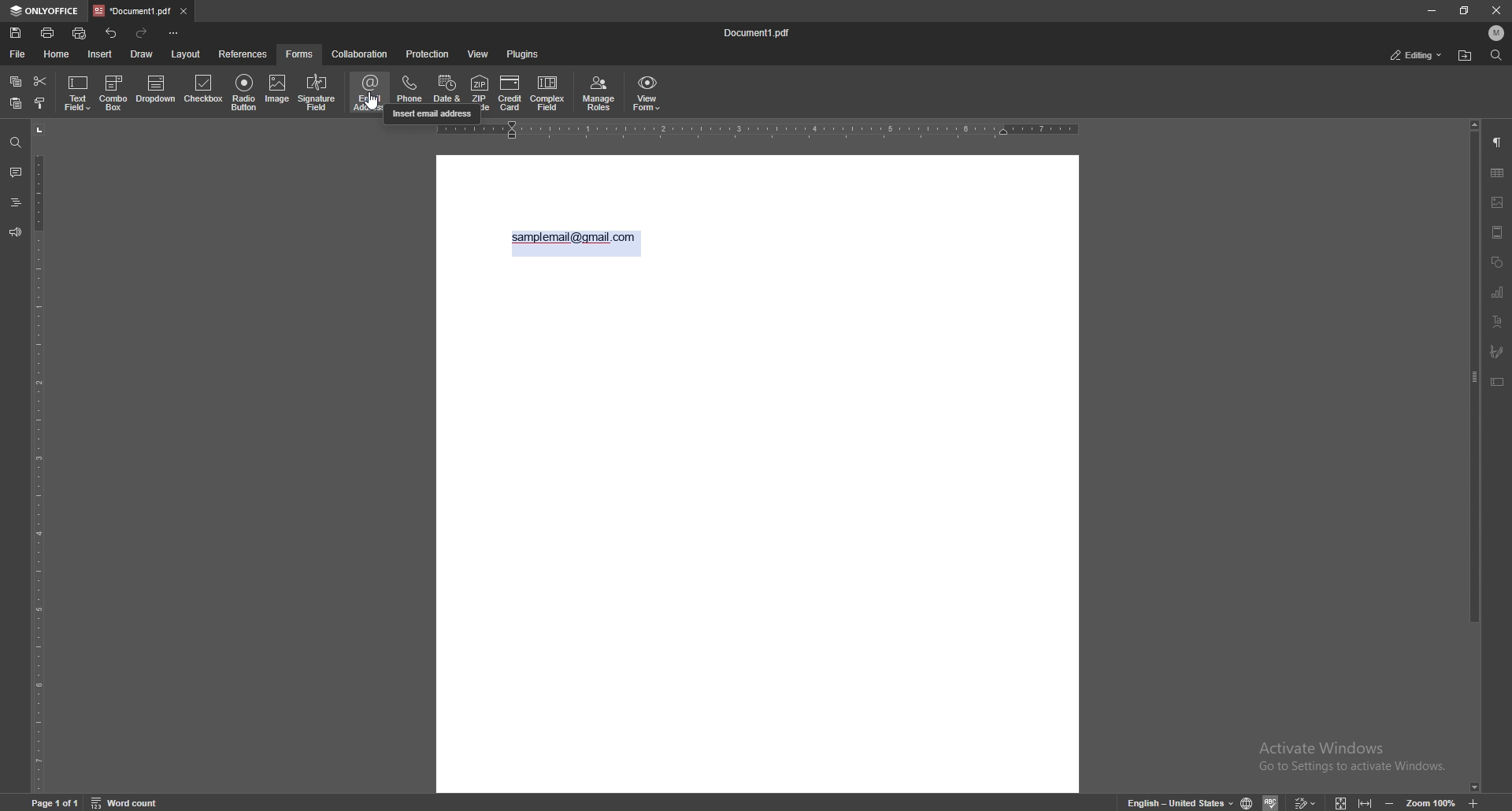  What do you see at coordinates (185, 54) in the screenshot?
I see `layout` at bounding box center [185, 54].